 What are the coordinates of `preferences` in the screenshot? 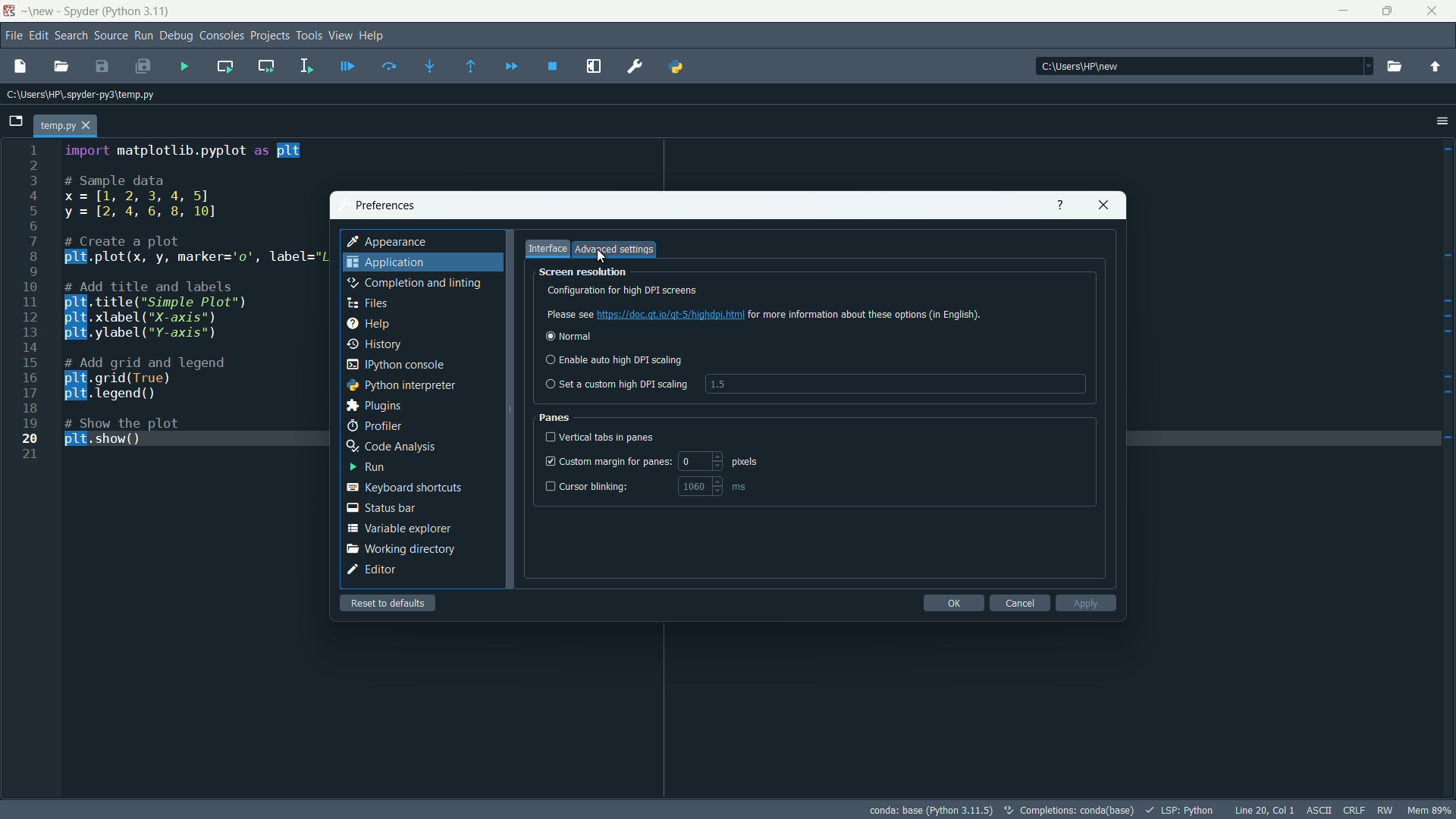 It's located at (386, 205).